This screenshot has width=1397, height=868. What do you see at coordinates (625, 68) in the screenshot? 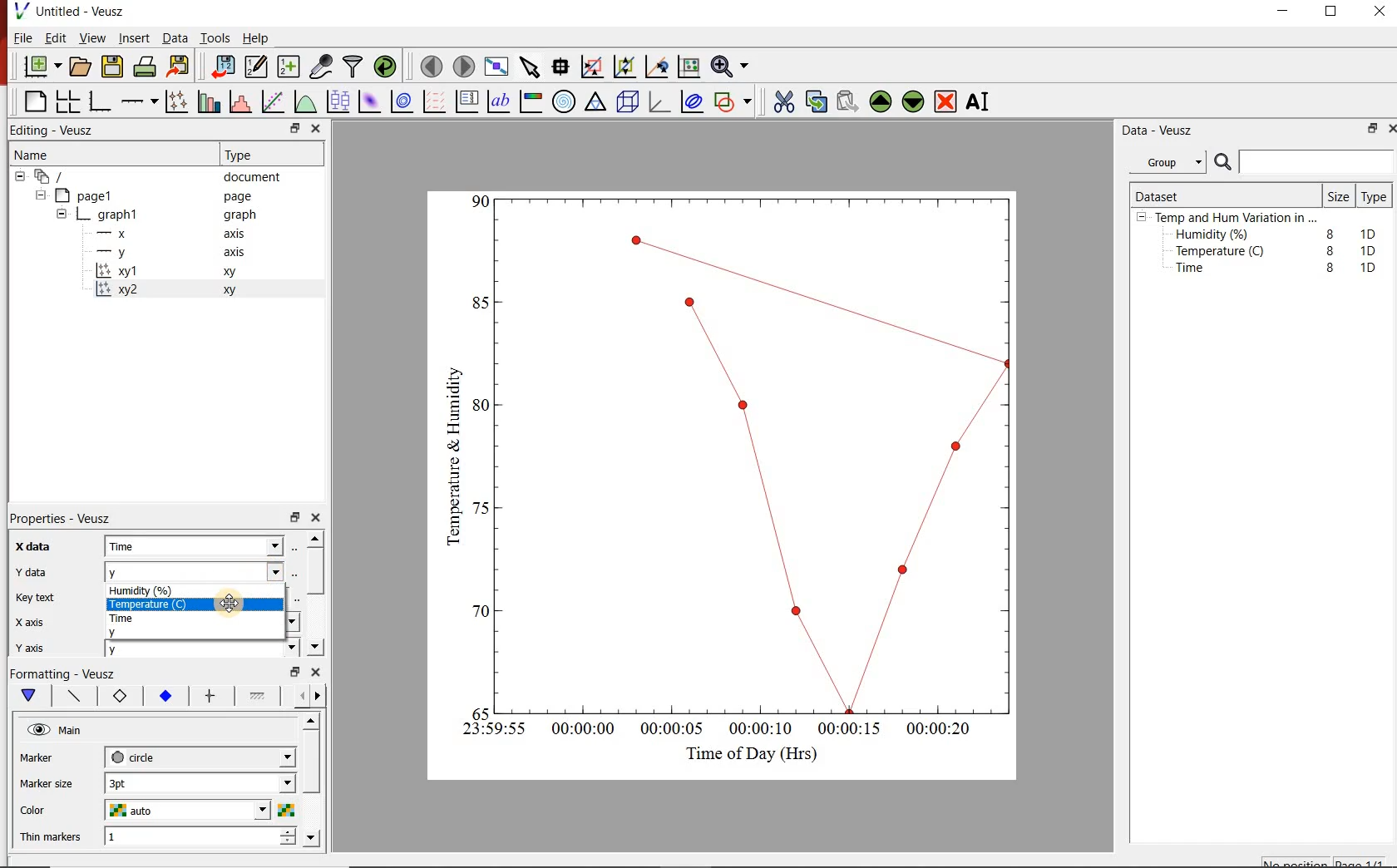
I see `click to zoom out of graph axes` at bounding box center [625, 68].